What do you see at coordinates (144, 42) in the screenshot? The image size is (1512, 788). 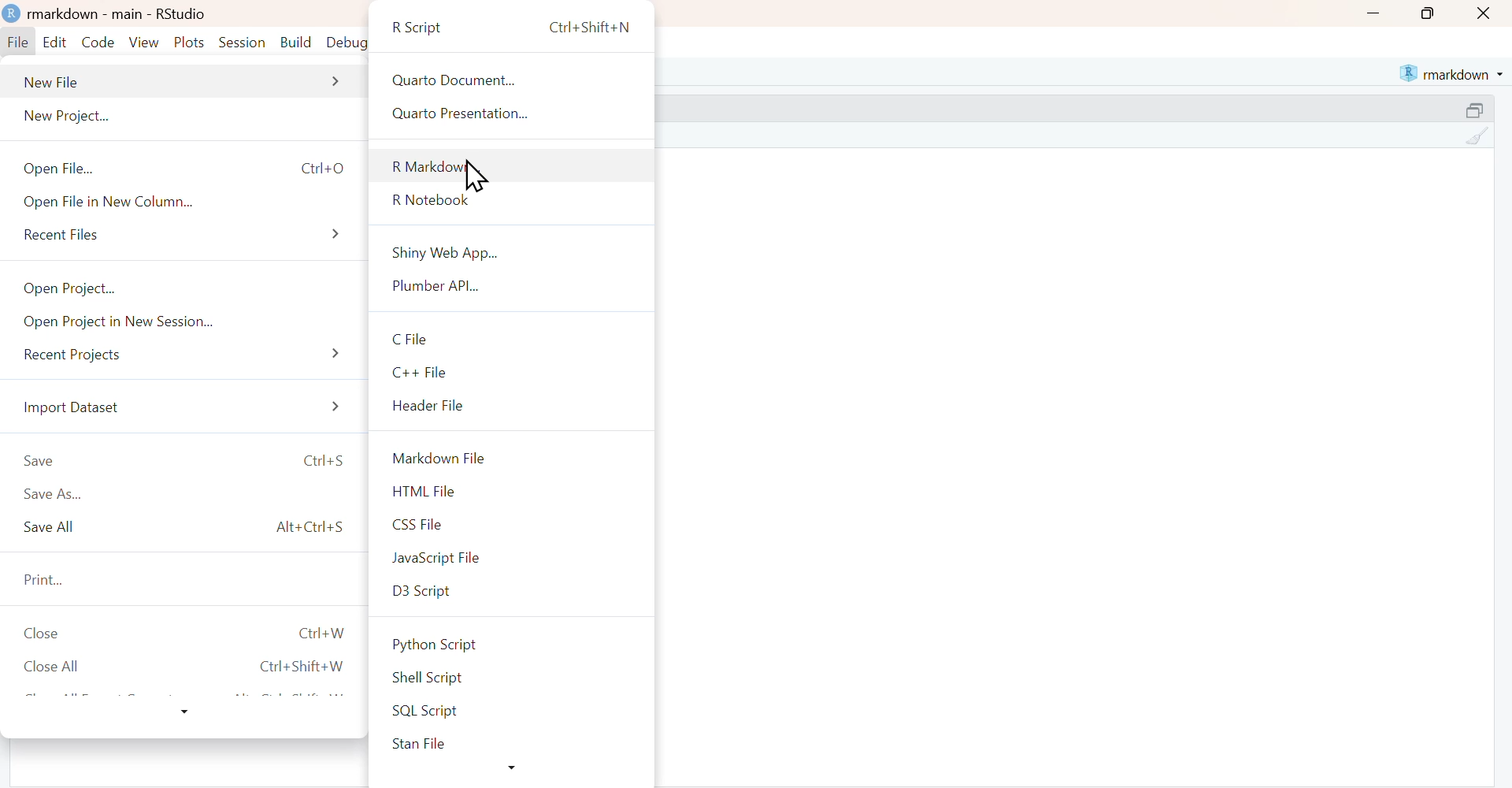 I see `View` at bounding box center [144, 42].